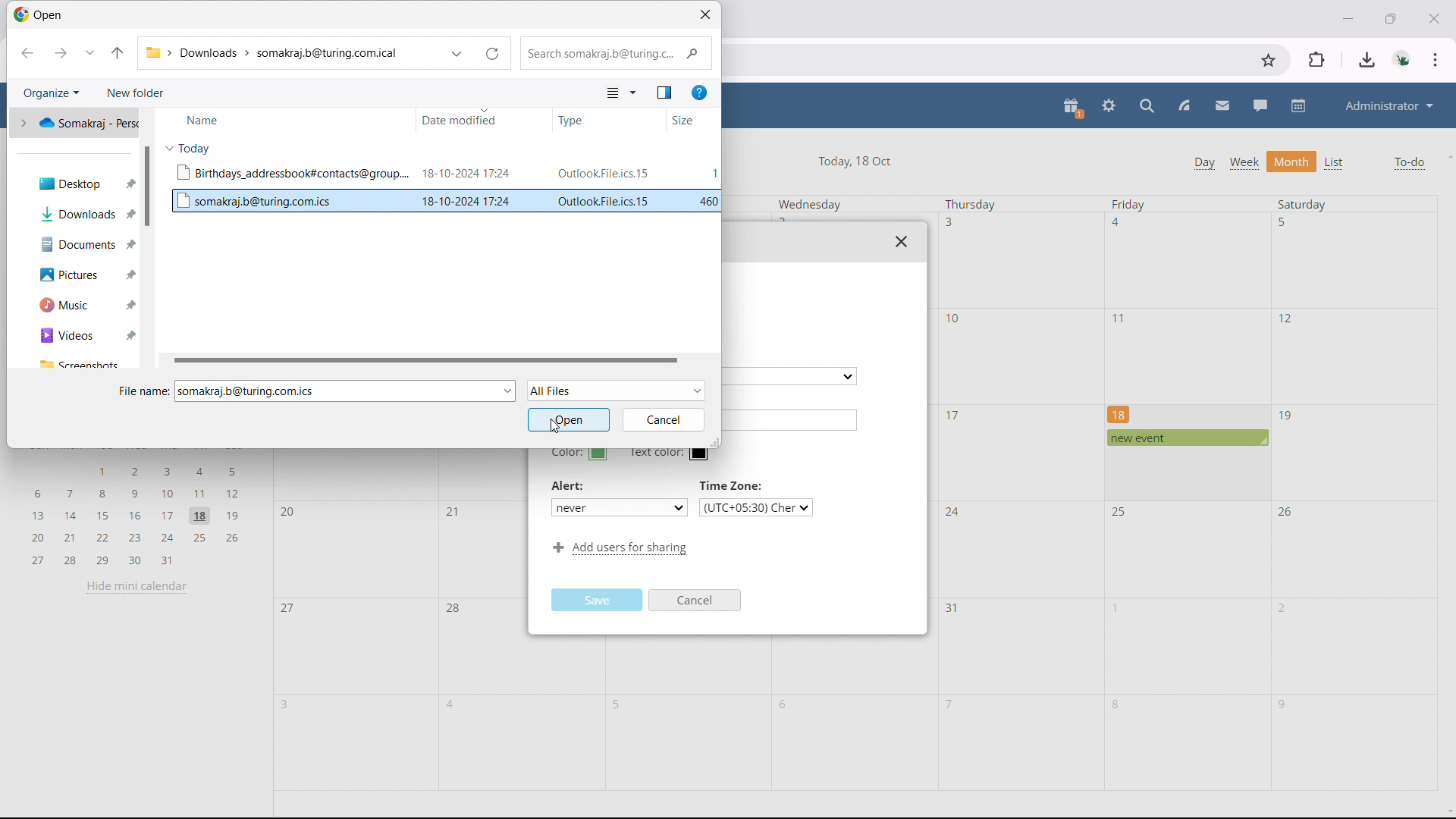 Image resolution: width=1456 pixels, height=819 pixels. Describe the element at coordinates (1244, 162) in the screenshot. I see `week` at that location.